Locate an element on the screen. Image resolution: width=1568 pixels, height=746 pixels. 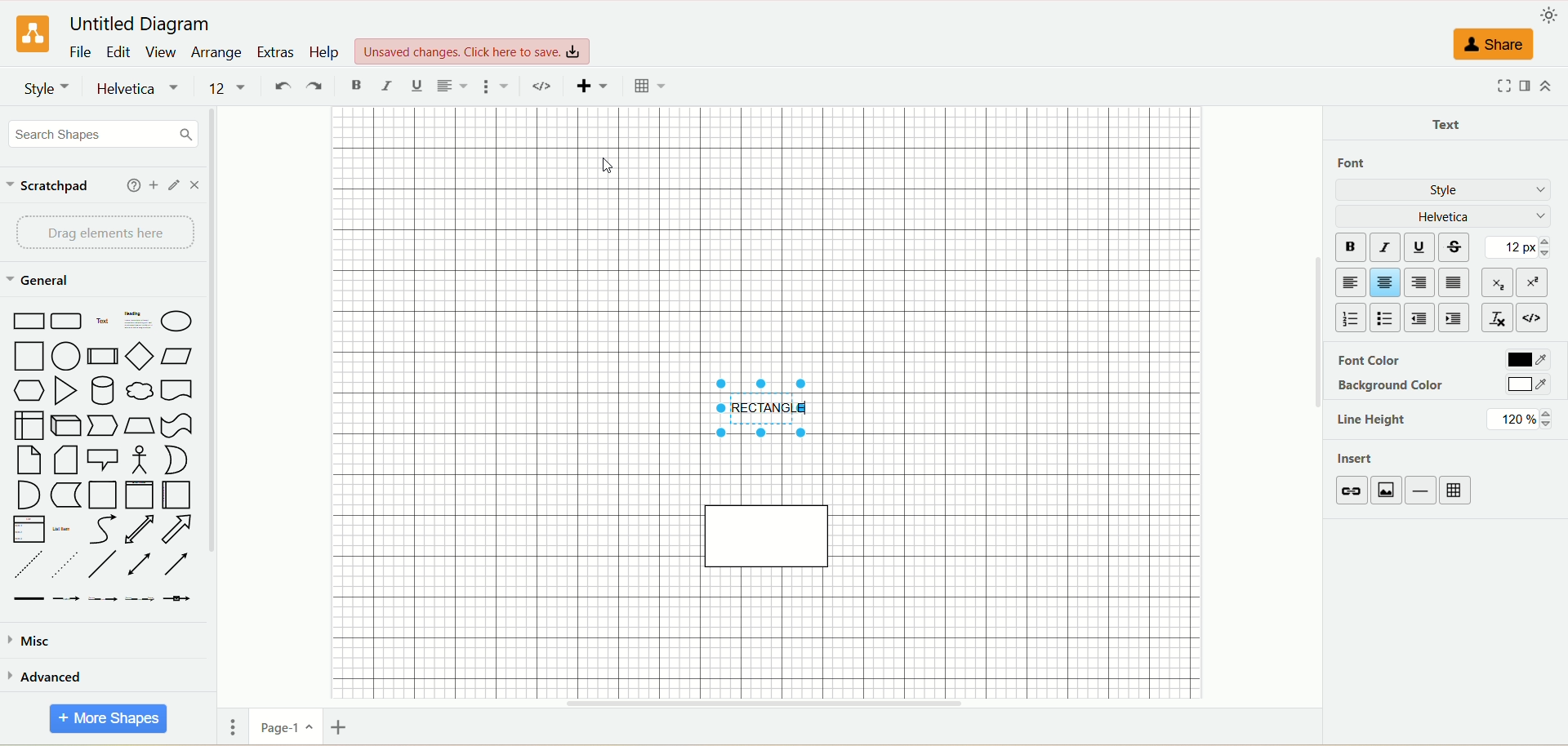
arrange is located at coordinates (216, 53).